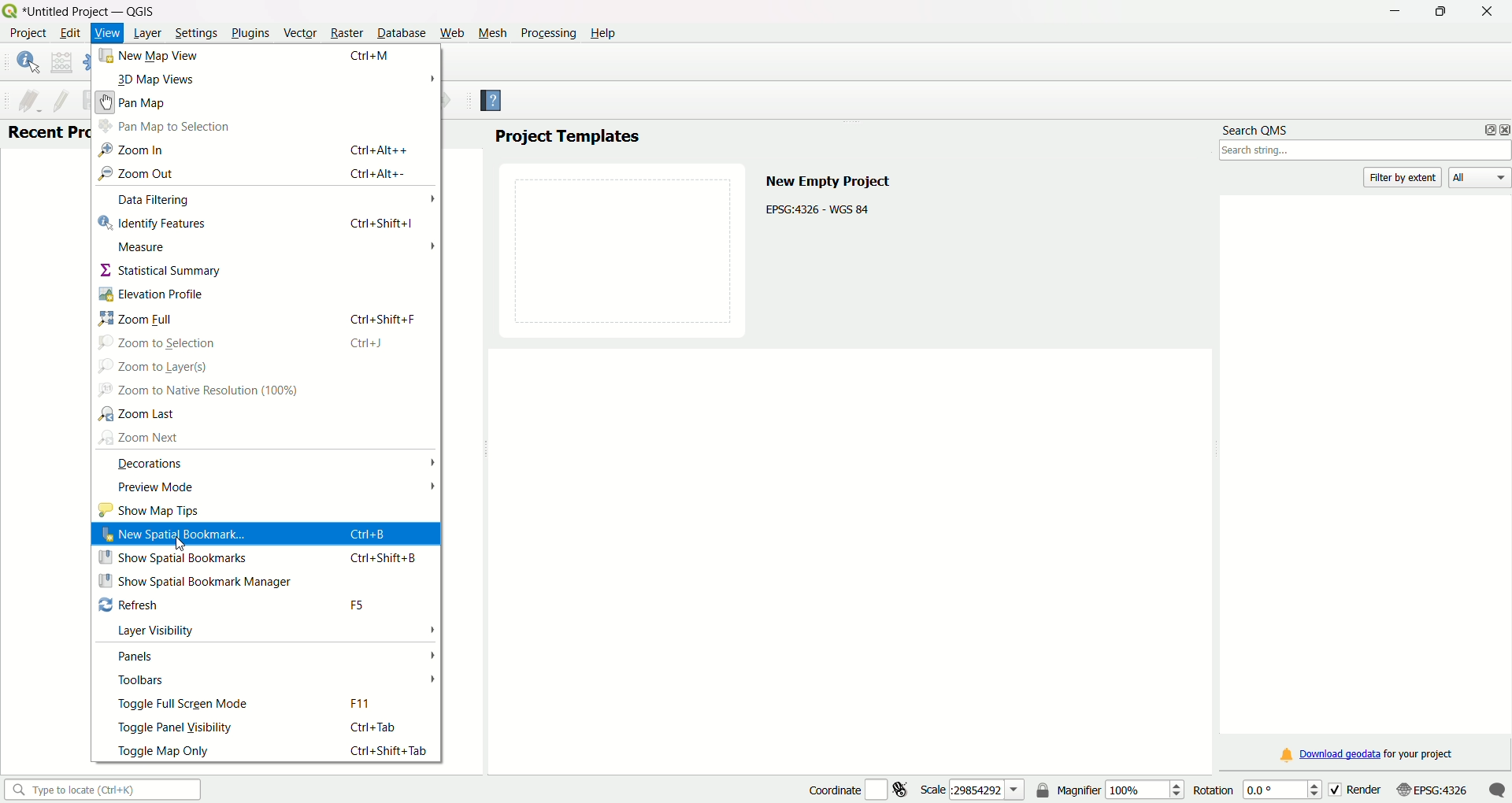 The width and height of the screenshot is (1512, 803). What do you see at coordinates (566, 138) in the screenshot?
I see `project templates` at bounding box center [566, 138].